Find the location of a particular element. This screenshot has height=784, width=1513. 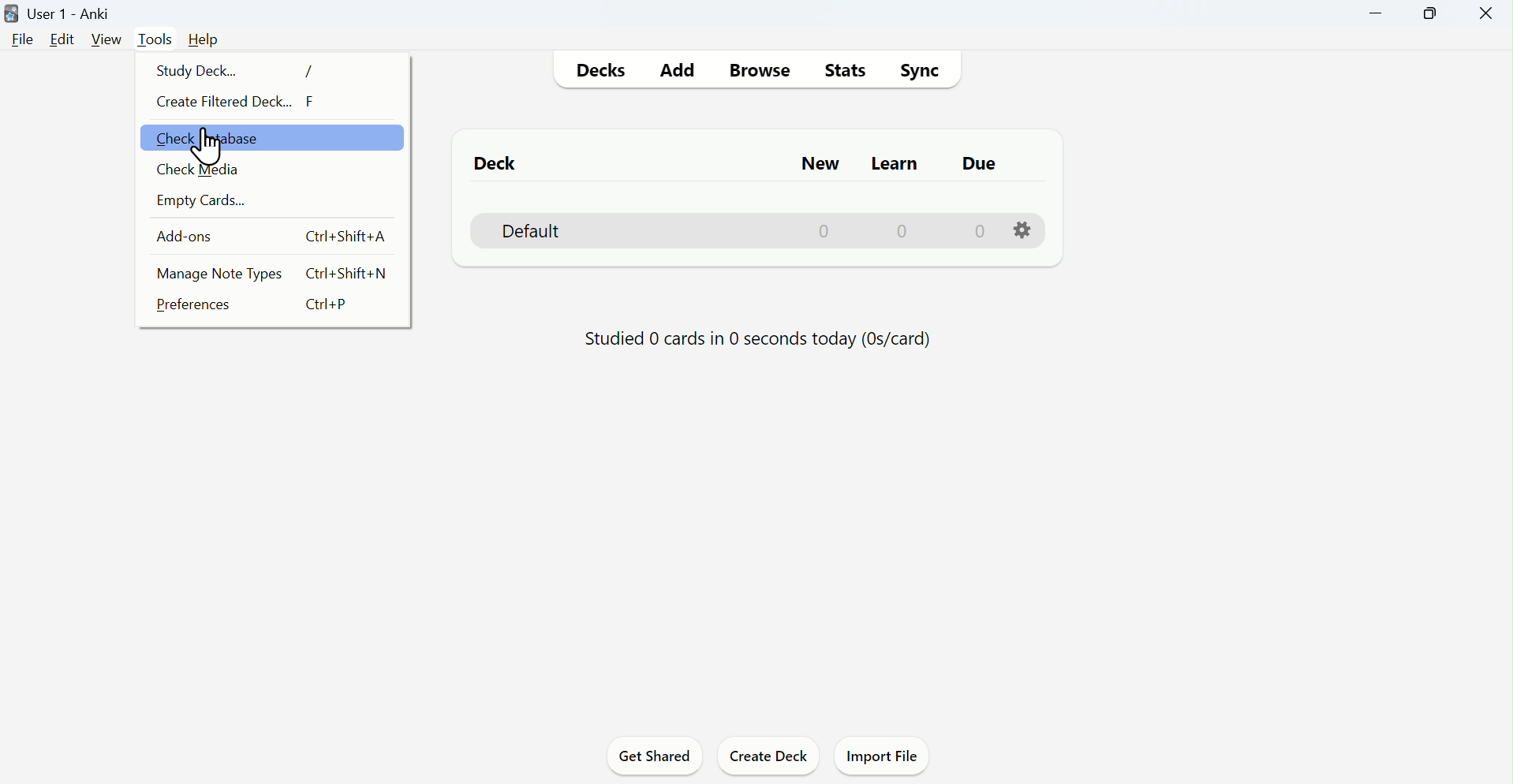

Close is located at coordinates (1482, 17).